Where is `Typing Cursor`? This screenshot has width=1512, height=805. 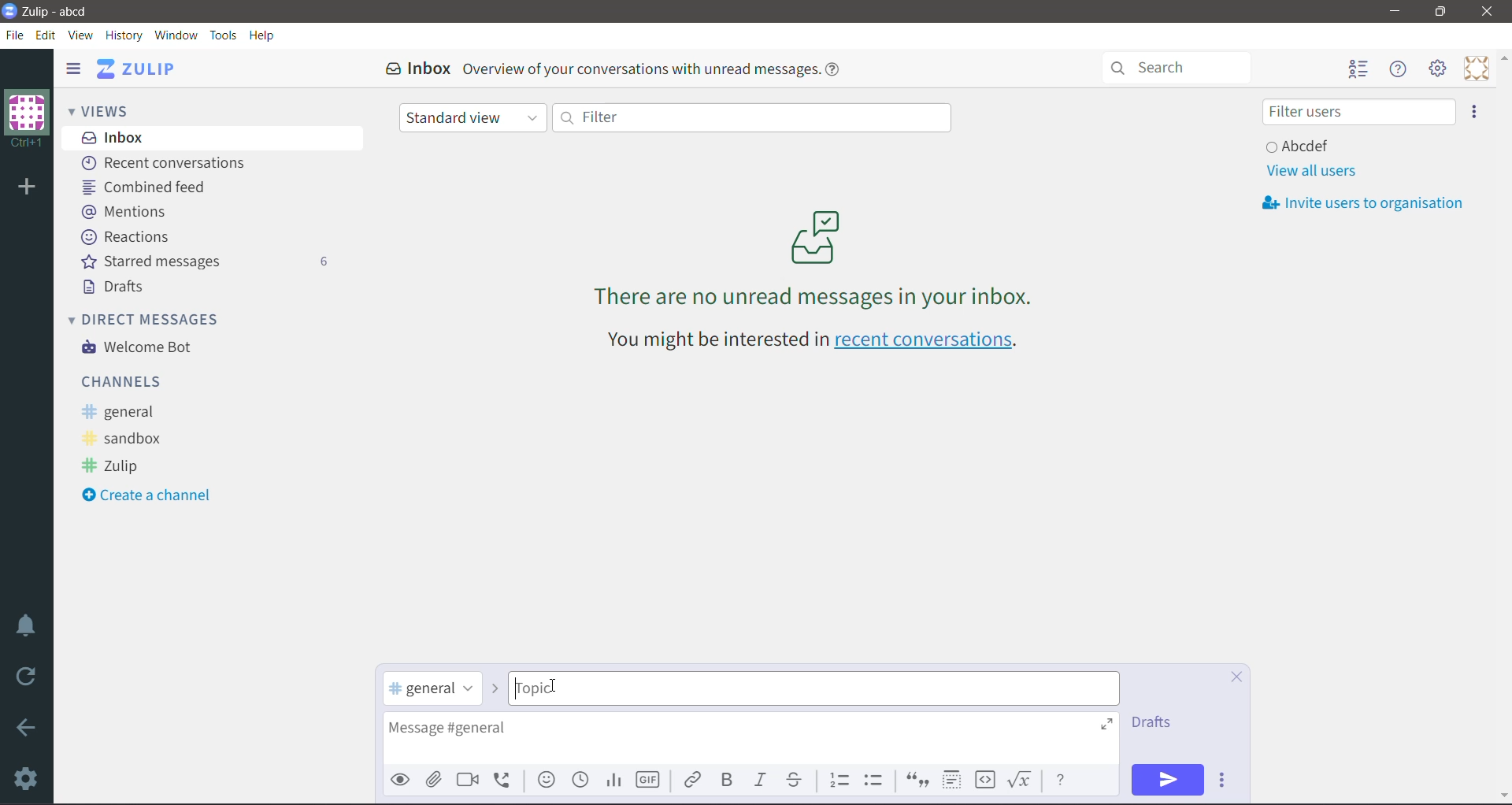 Typing Cursor is located at coordinates (552, 686).